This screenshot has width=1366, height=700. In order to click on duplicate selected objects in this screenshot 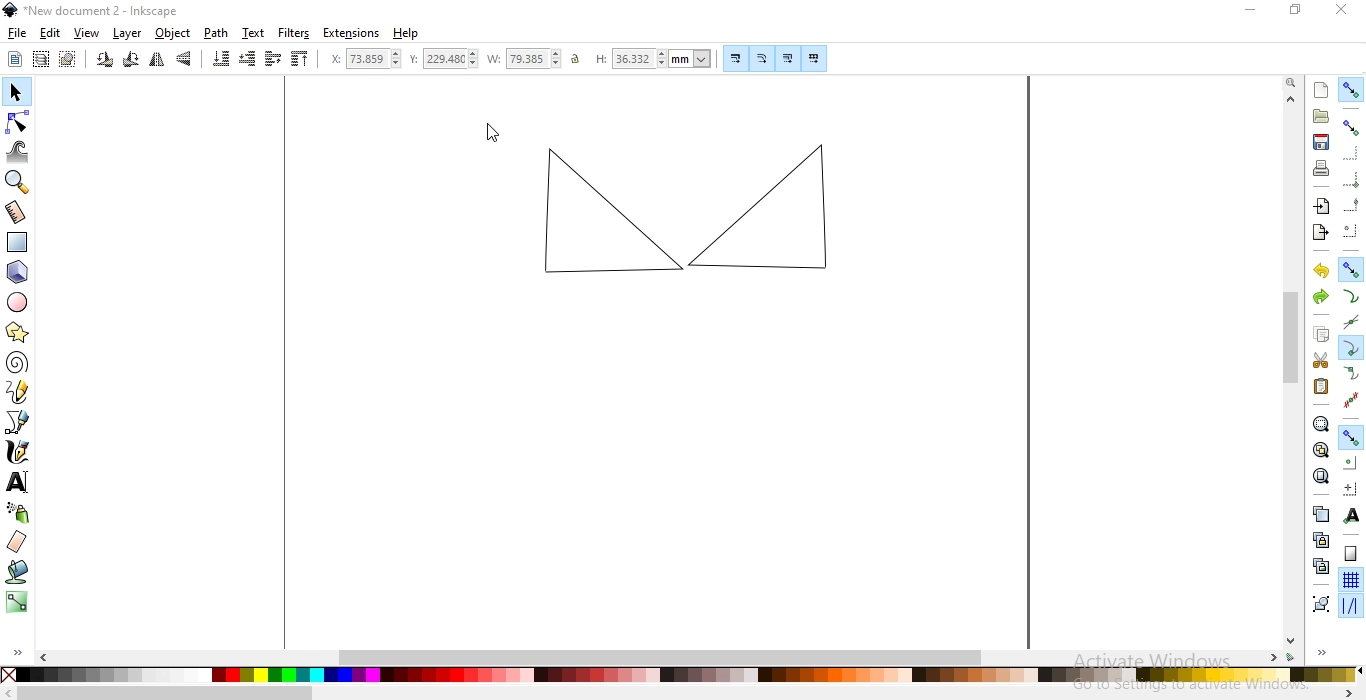, I will do `click(1320, 513)`.